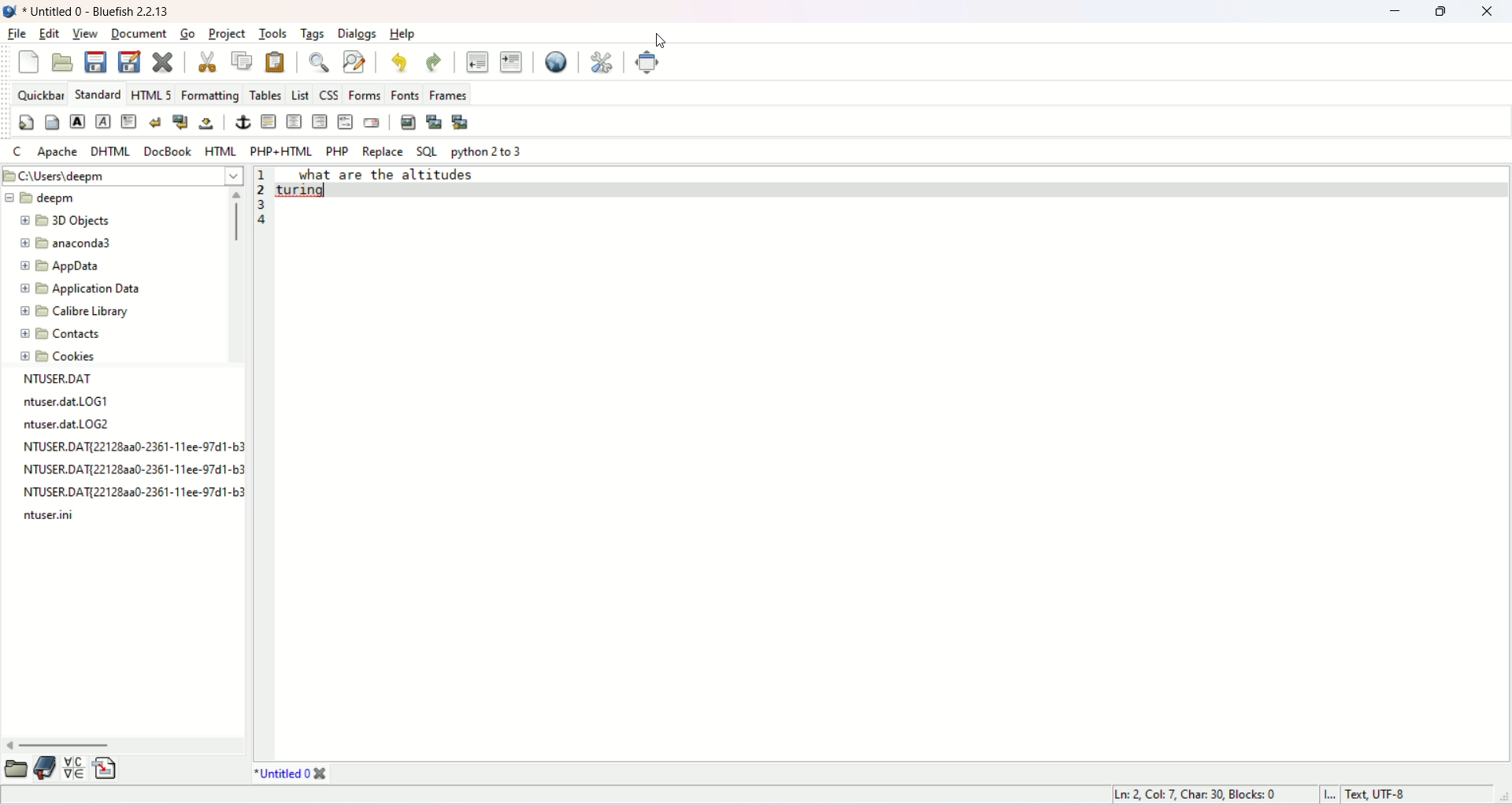 Image resolution: width=1512 pixels, height=805 pixels. What do you see at coordinates (404, 94) in the screenshot?
I see `fonts` at bounding box center [404, 94].